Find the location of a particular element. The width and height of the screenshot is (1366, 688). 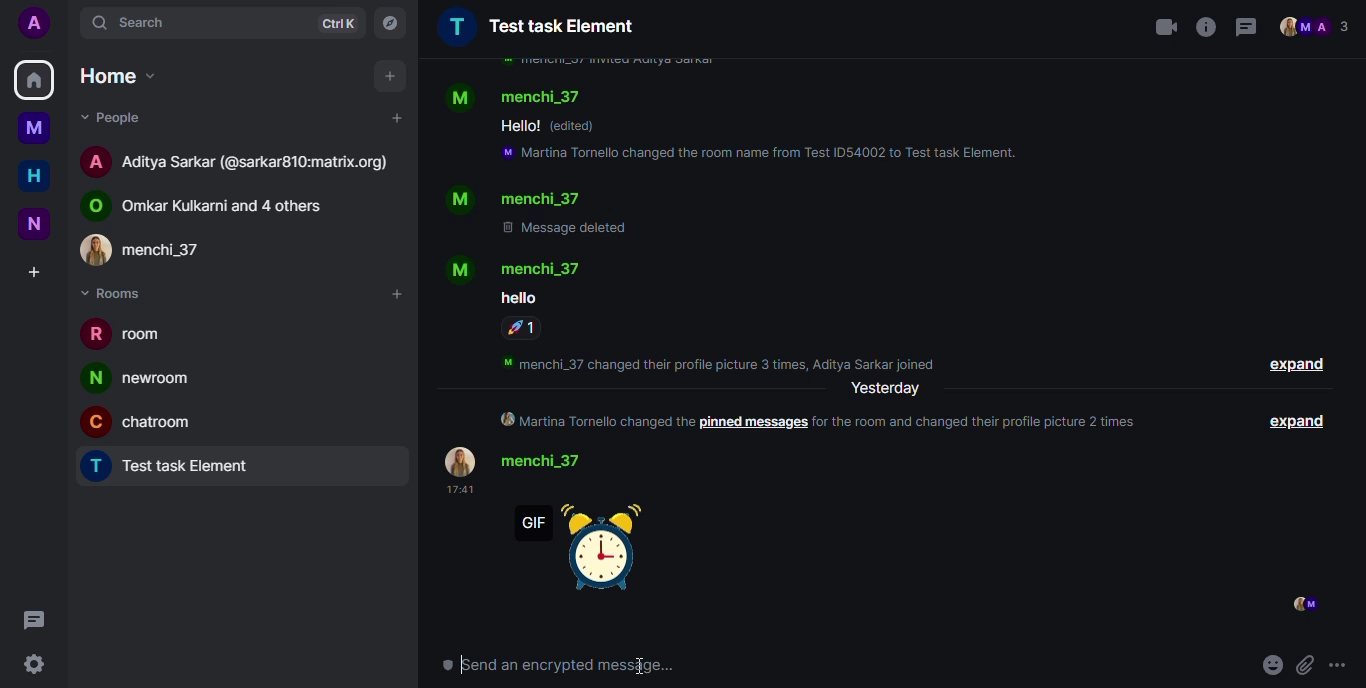

explore rooms is located at coordinates (389, 22).